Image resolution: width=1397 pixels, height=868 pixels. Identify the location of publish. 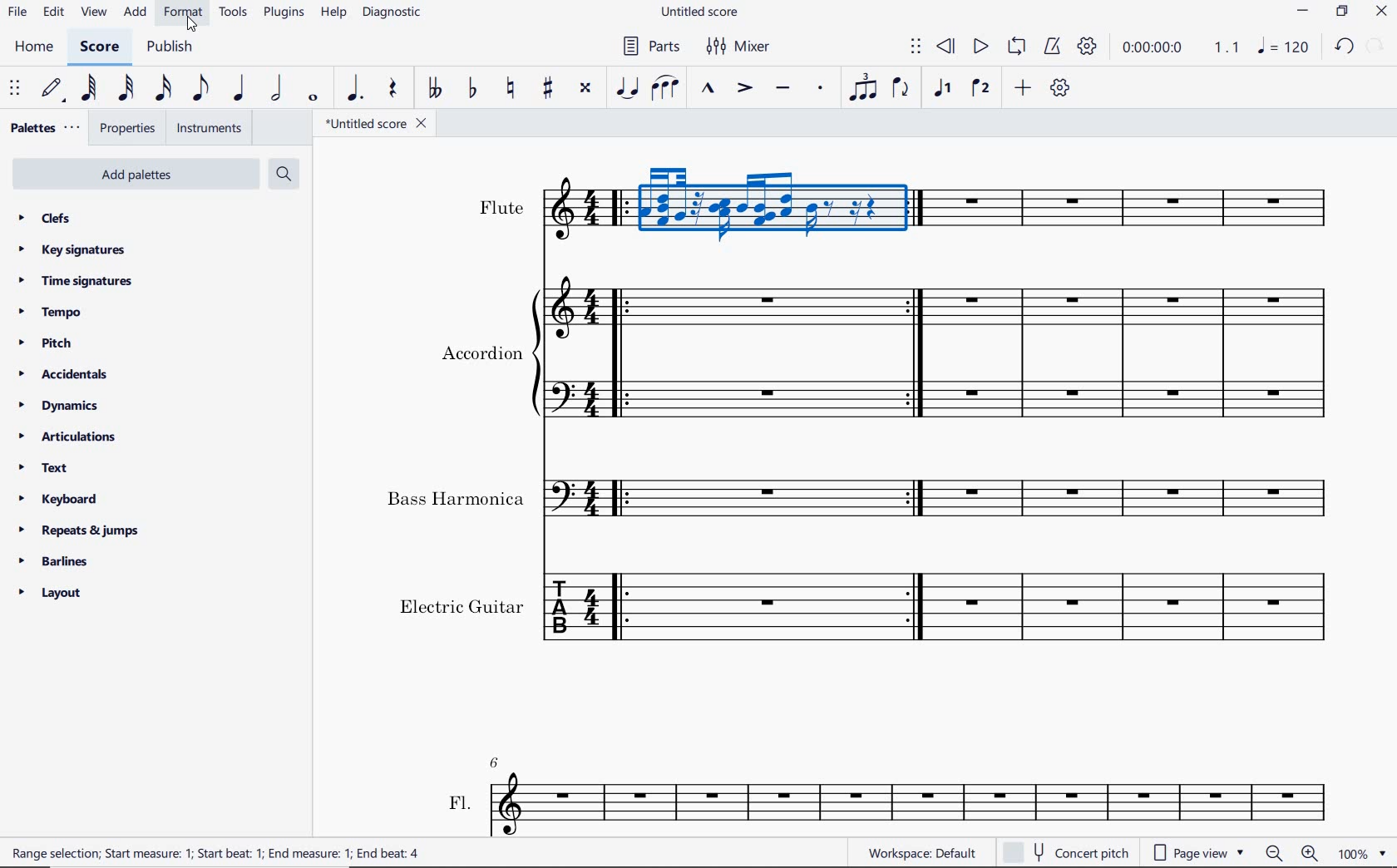
(173, 47).